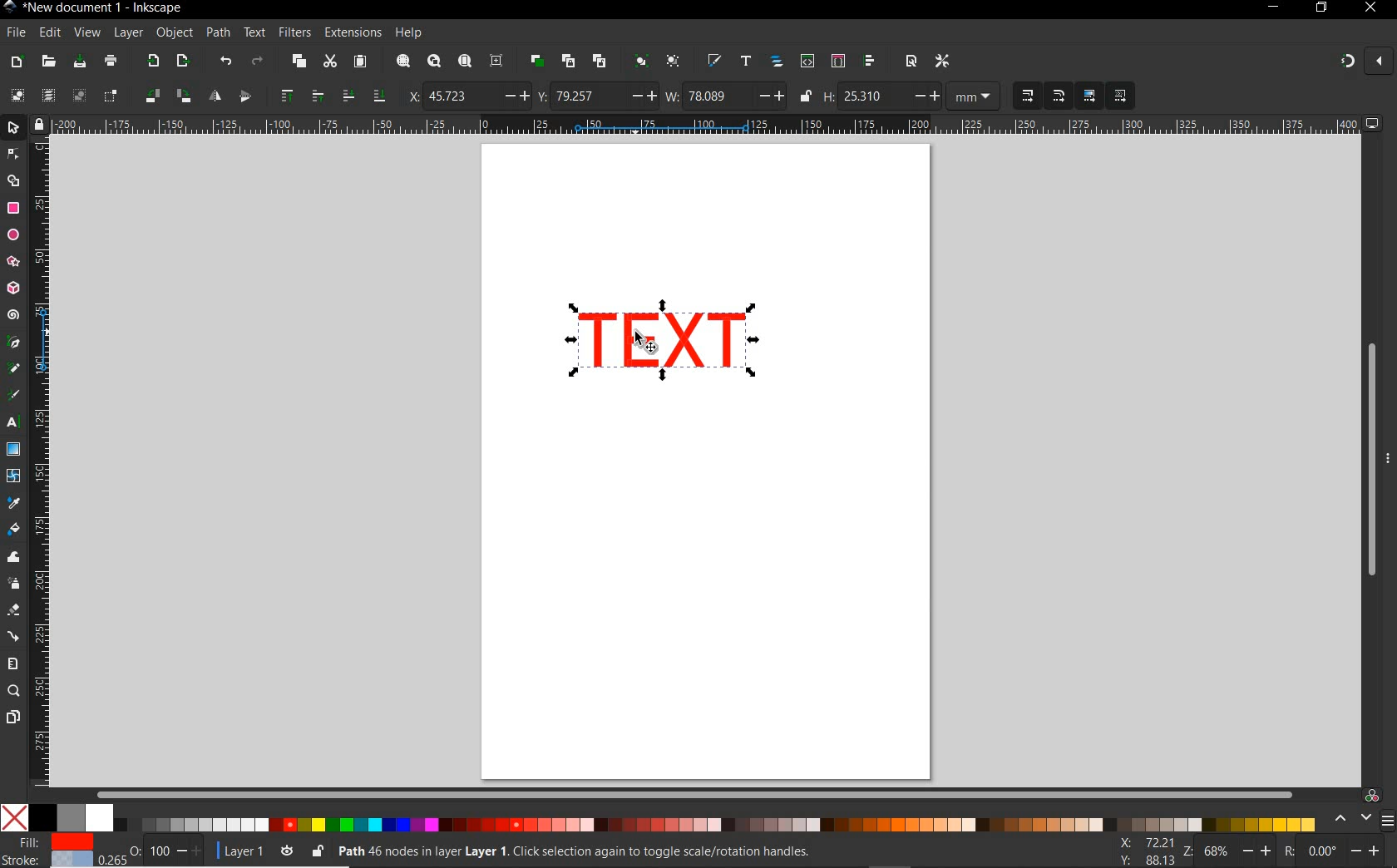 The height and width of the screenshot is (868, 1397). What do you see at coordinates (94, 7) in the screenshot?
I see `FILE NAME` at bounding box center [94, 7].